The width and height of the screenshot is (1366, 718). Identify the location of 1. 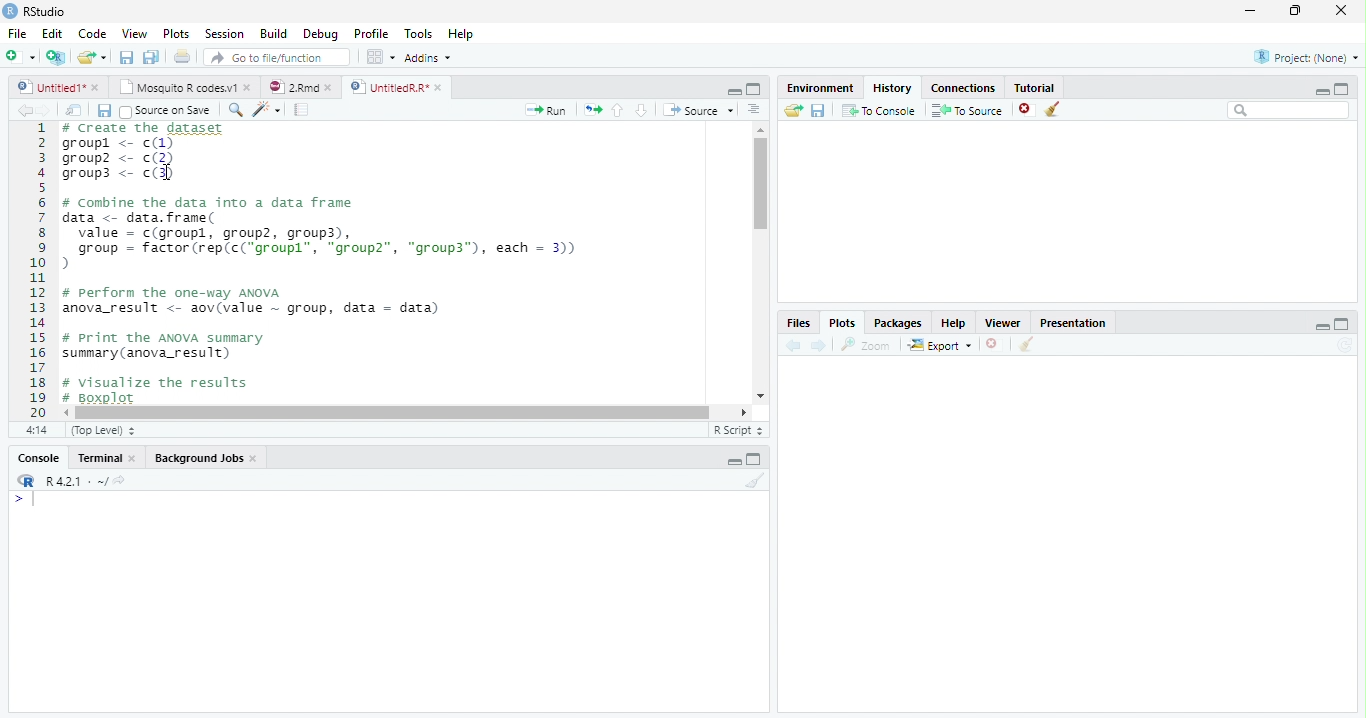
(37, 268).